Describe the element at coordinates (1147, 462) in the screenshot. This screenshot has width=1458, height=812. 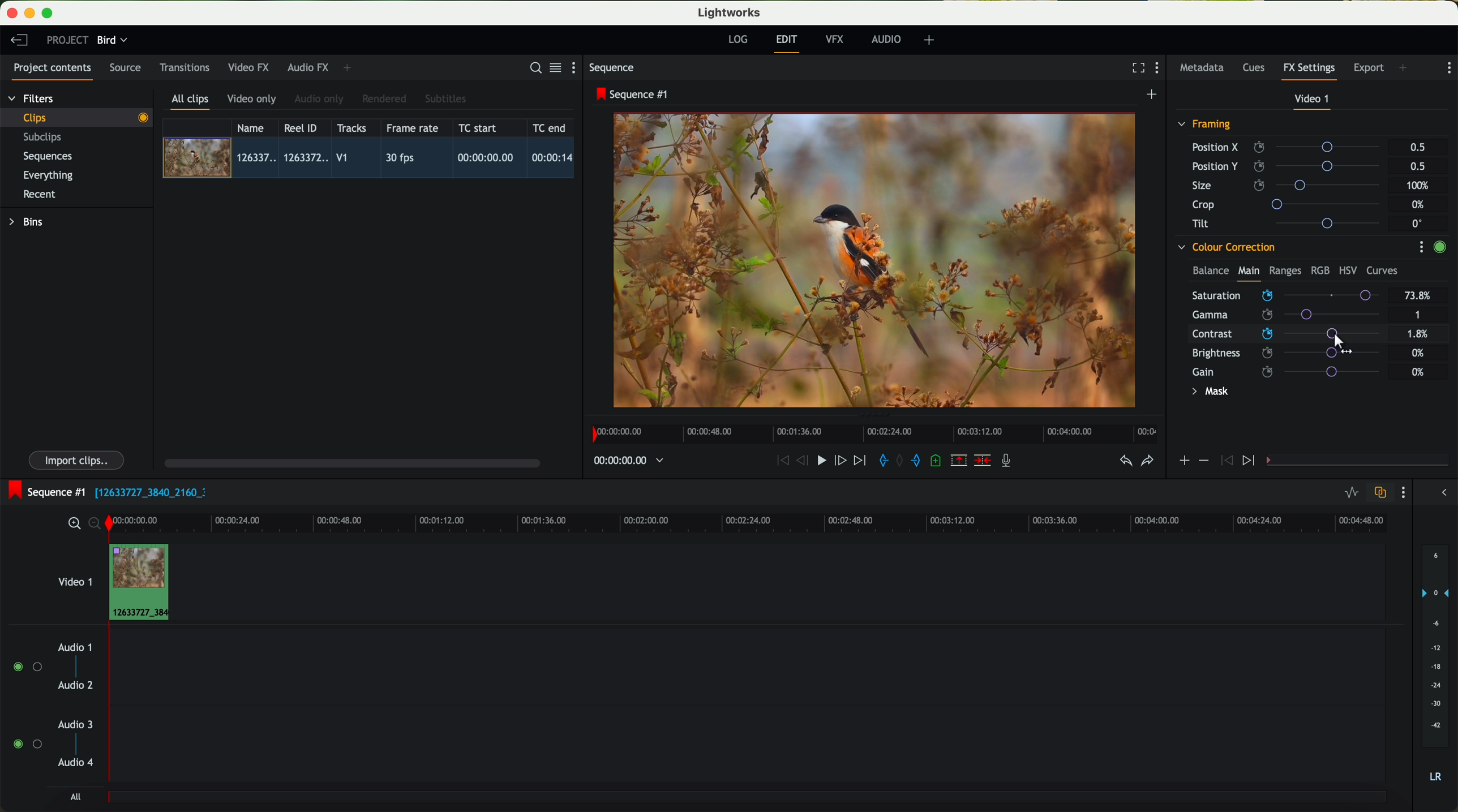
I see `redo` at that location.